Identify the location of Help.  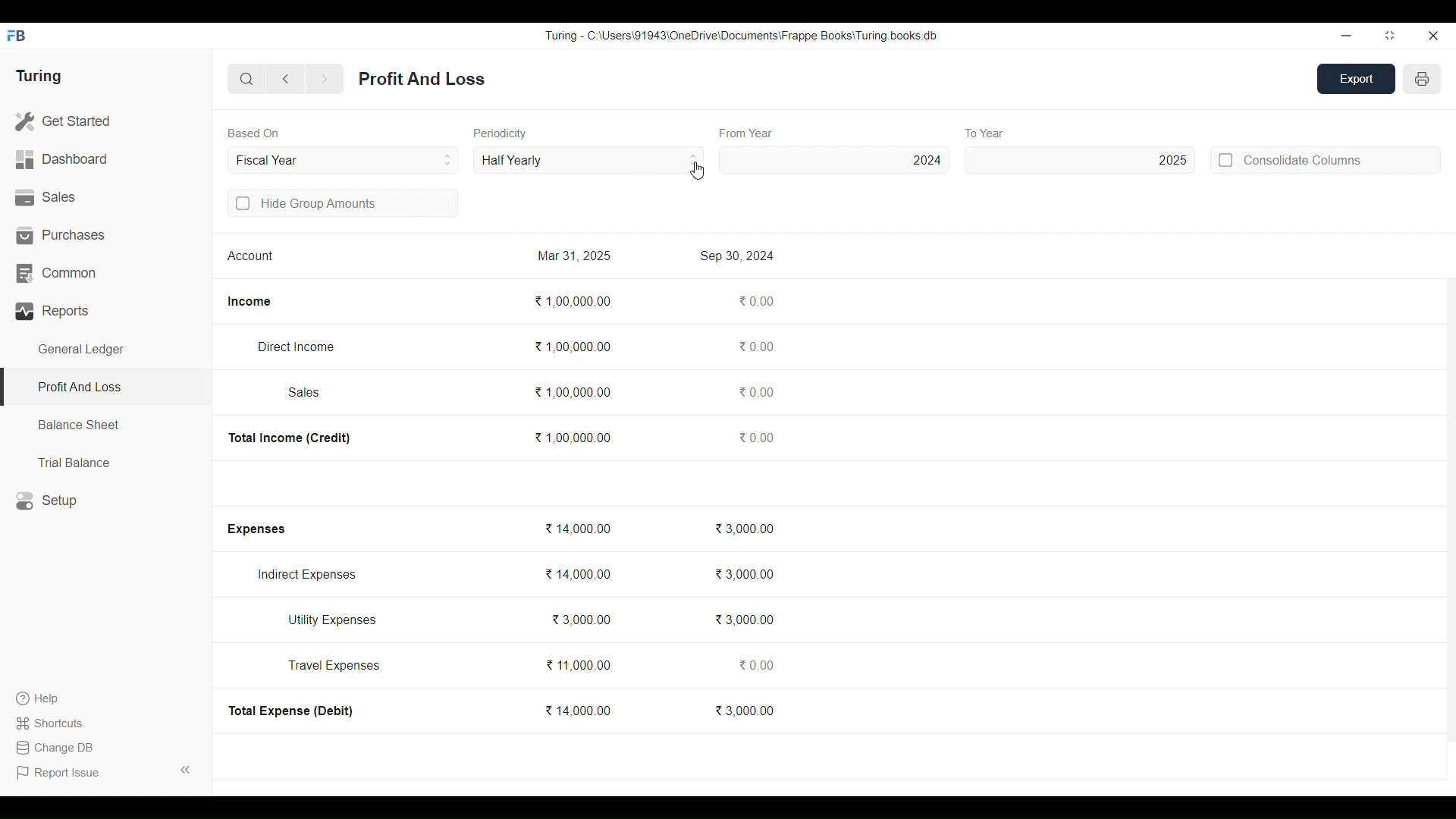
(52, 698).